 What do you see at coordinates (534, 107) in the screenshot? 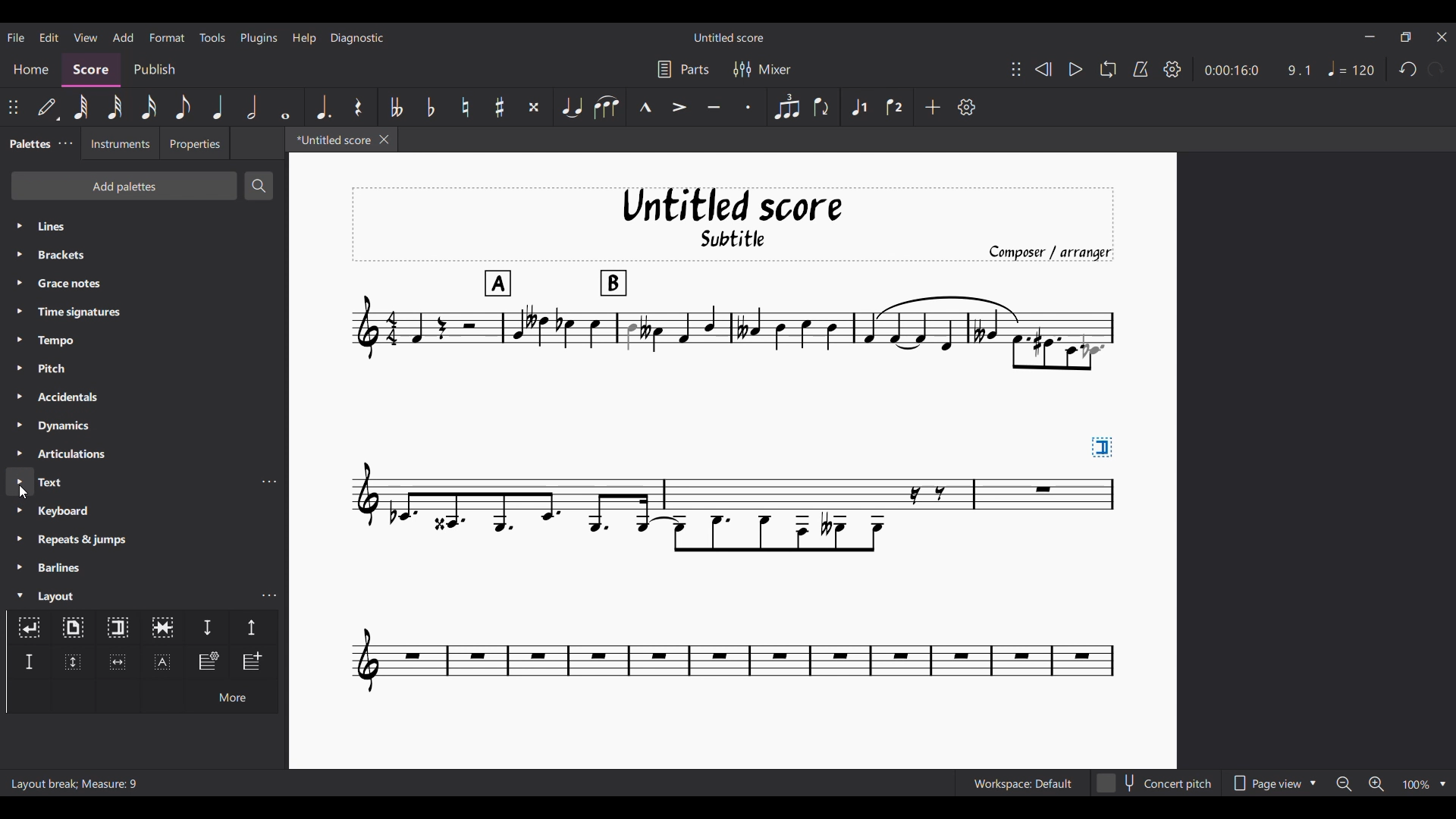
I see `Toggle double sharp` at bounding box center [534, 107].